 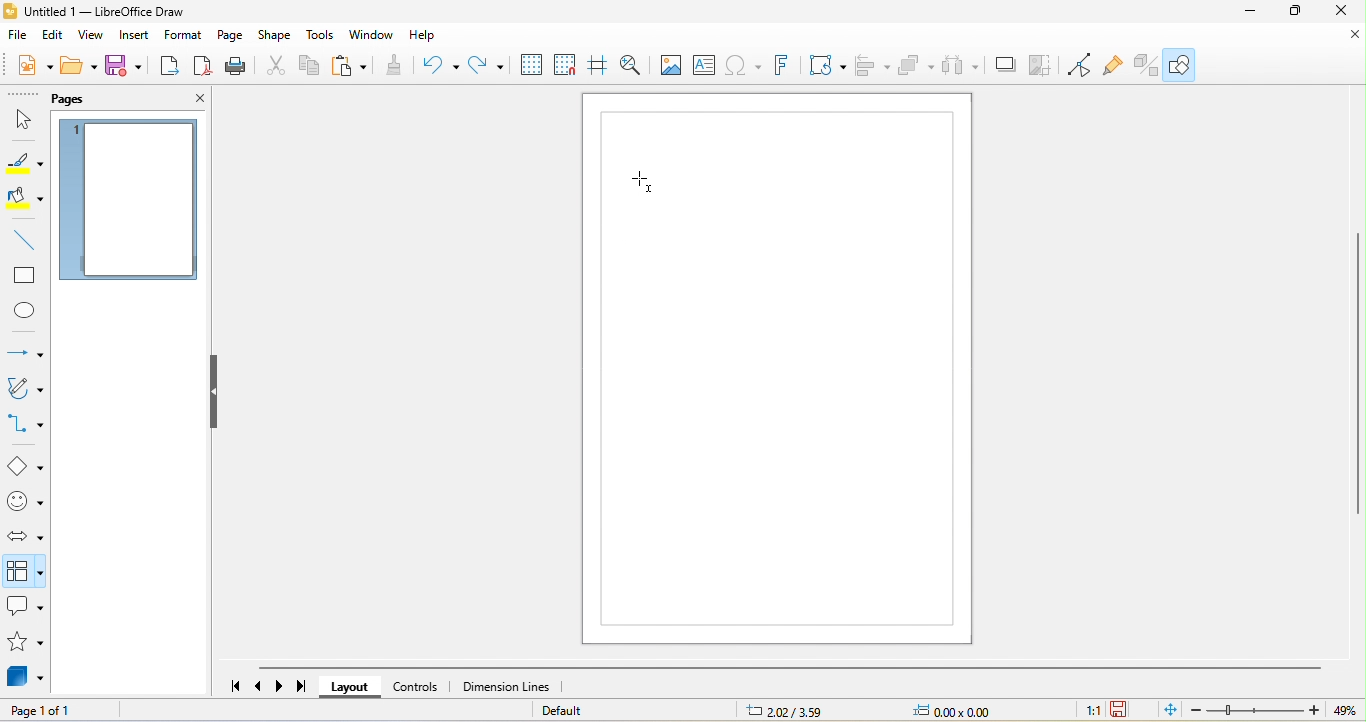 I want to click on 49%, so click(x=1348, y=711).